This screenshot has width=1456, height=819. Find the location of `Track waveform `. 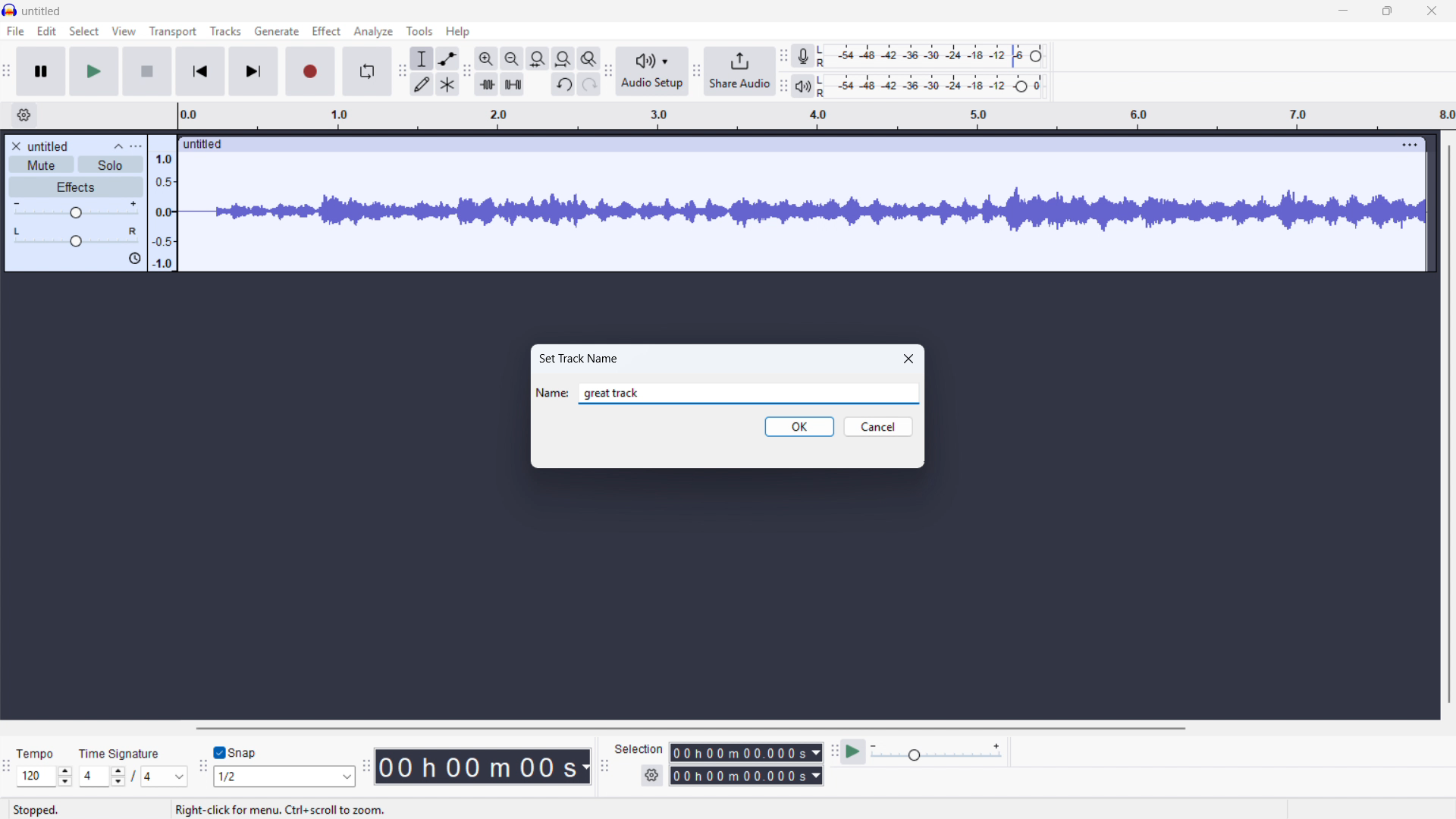

Track waveform  is located at coordinates (802, 206).